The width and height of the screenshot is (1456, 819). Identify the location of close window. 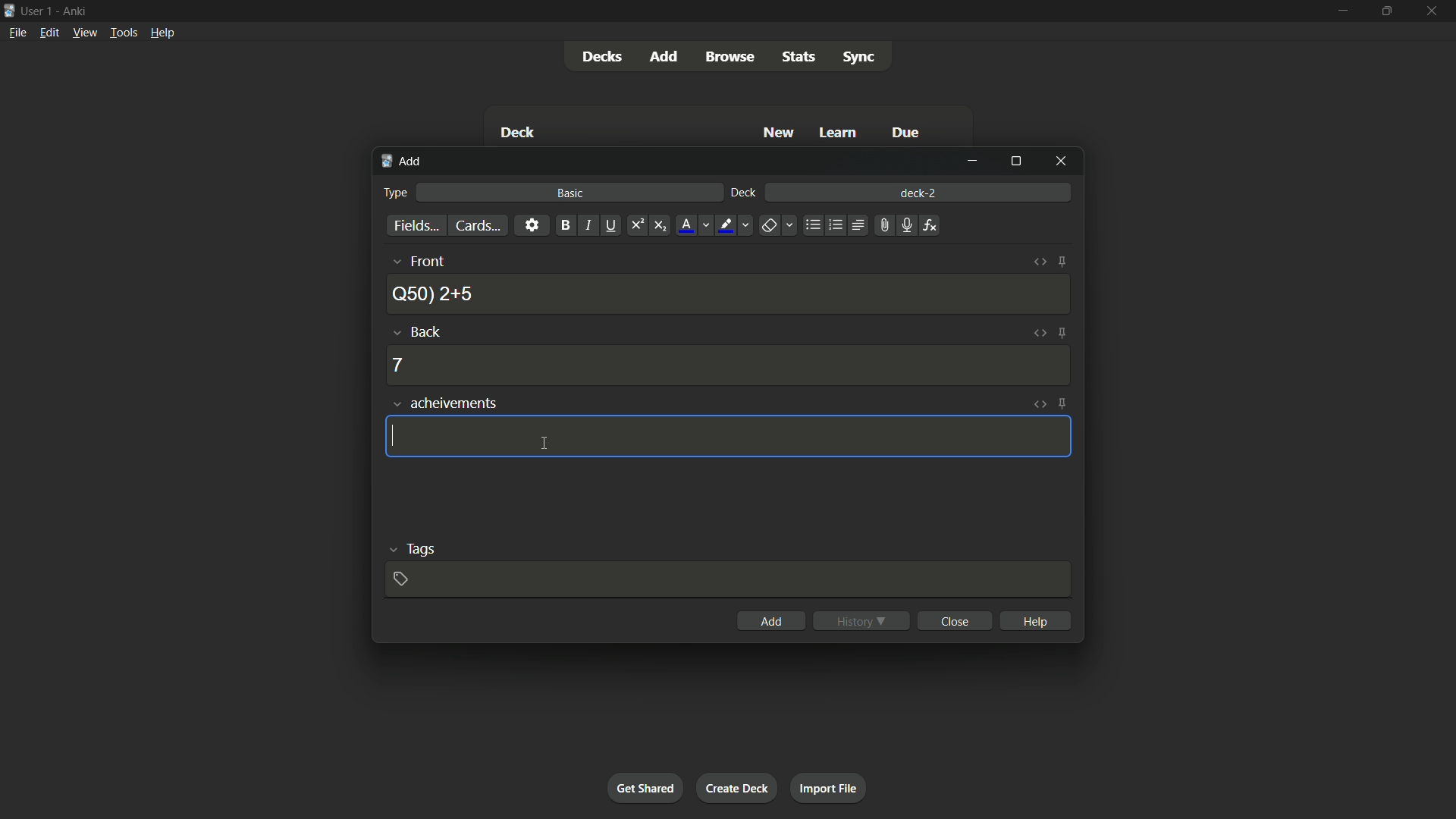
(1059, 162).